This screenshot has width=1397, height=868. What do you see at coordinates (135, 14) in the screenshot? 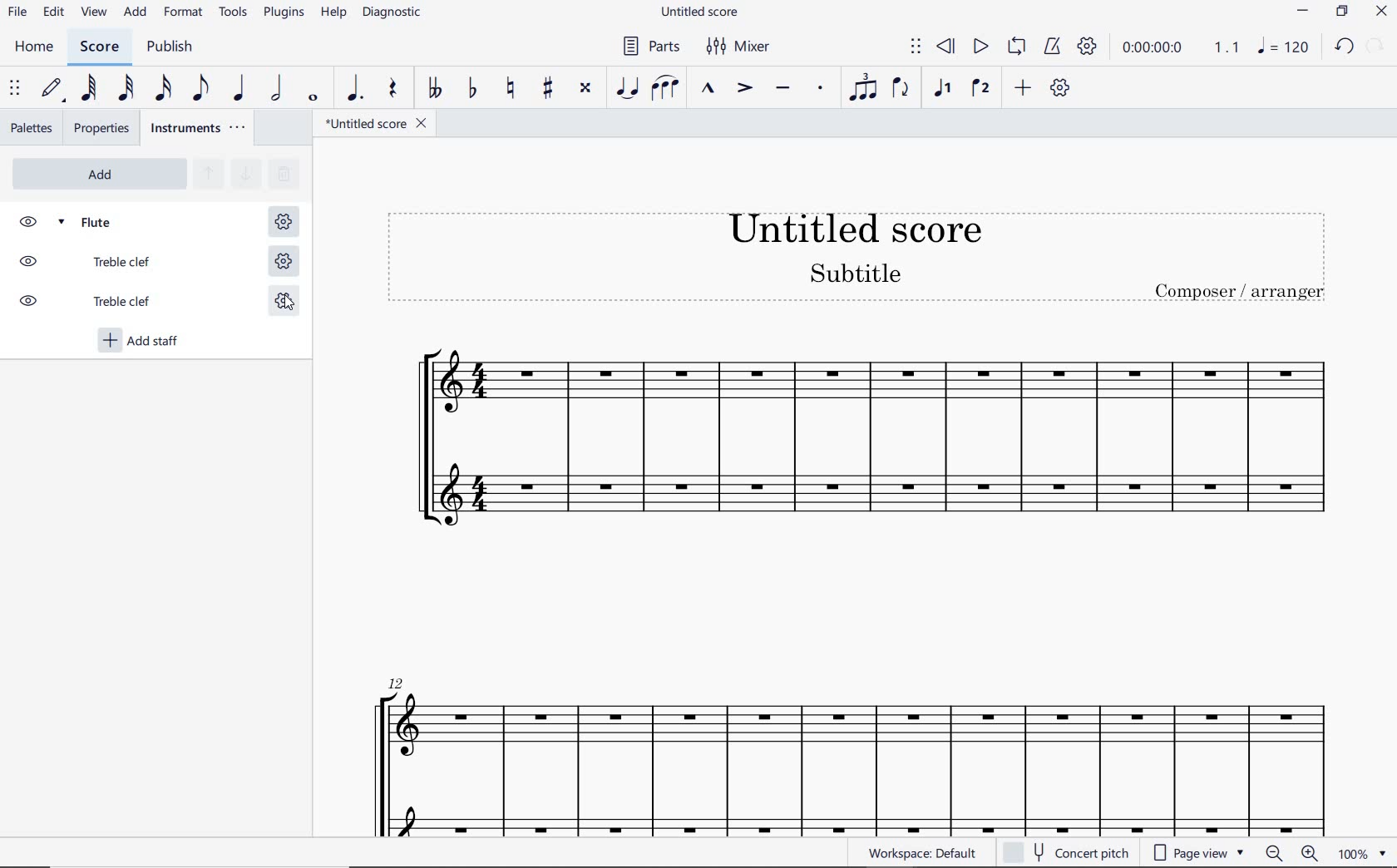
I see `ADD` at bounding box center [135, 14].